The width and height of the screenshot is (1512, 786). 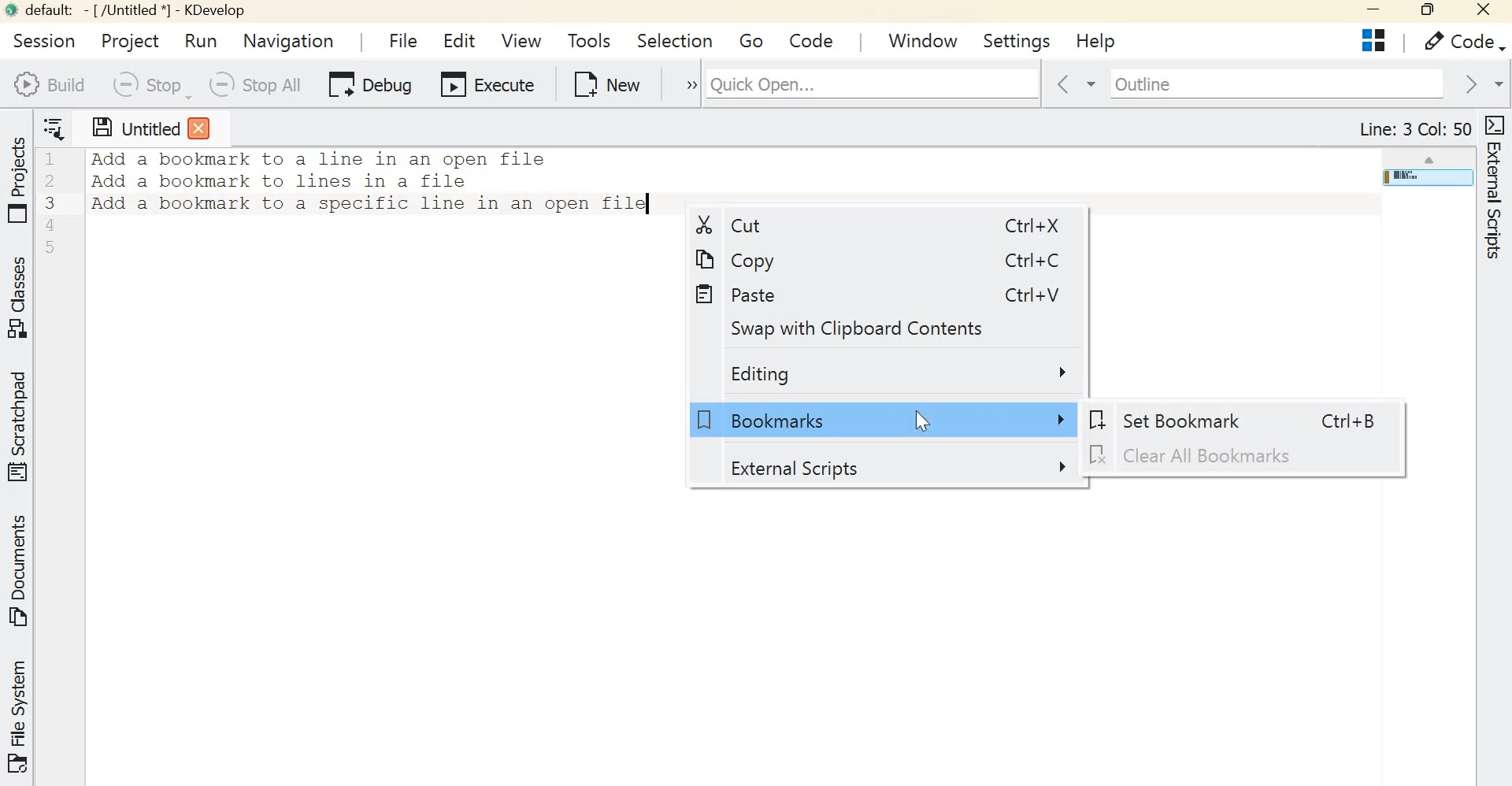 I want to click on Selection, so click(x=675, y=39).